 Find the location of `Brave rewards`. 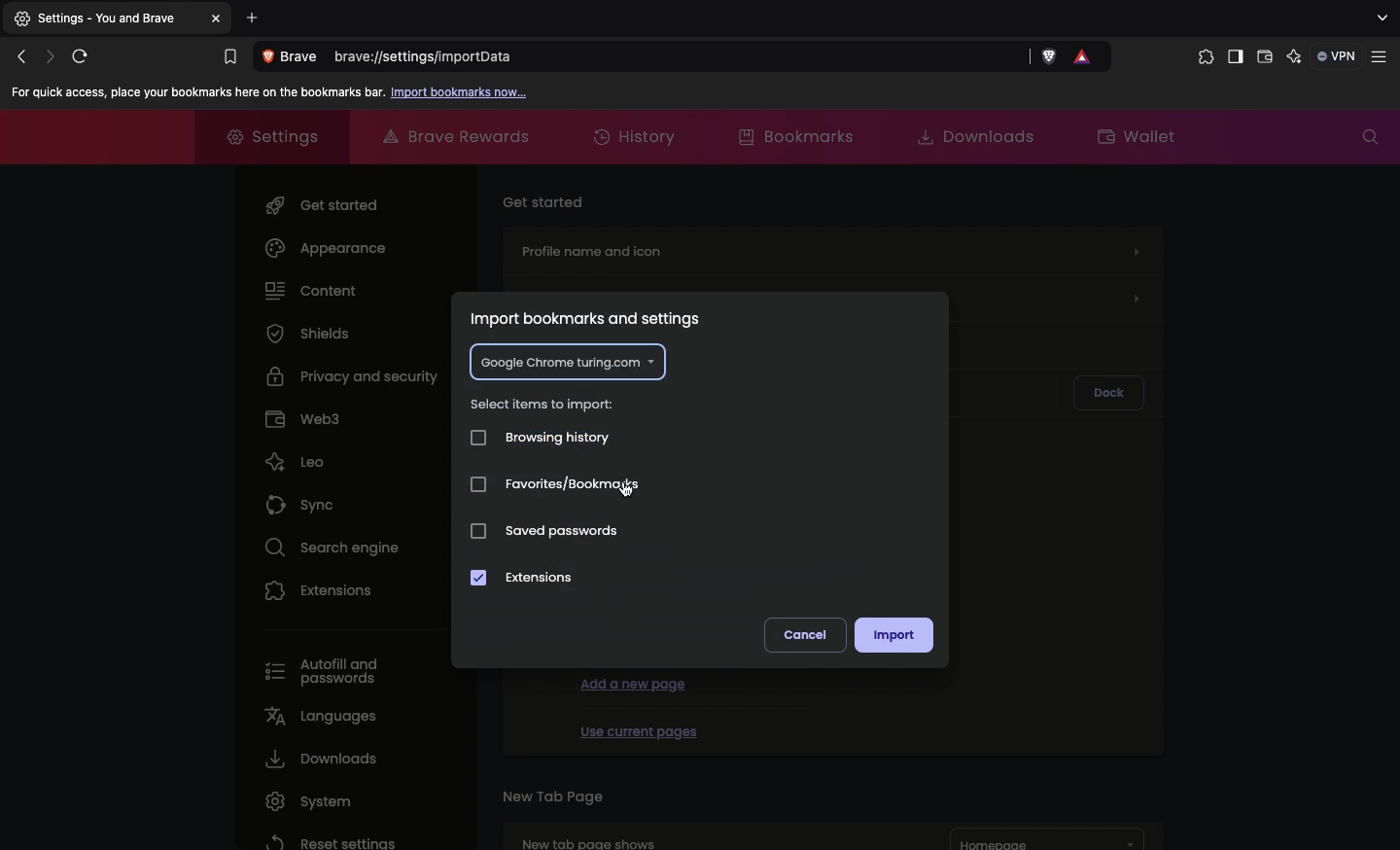

Brave rewards is located at coordinates (459, 136).